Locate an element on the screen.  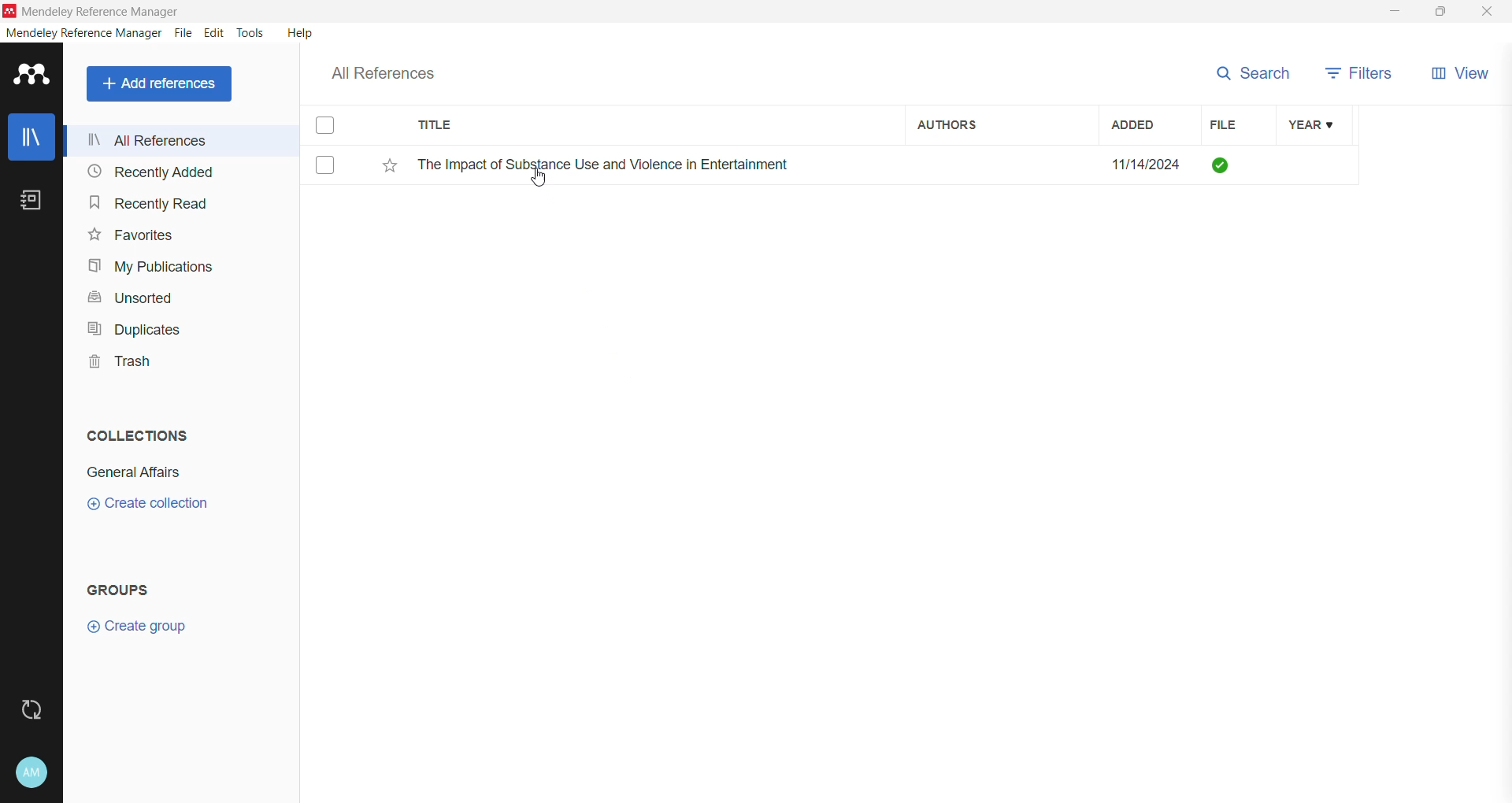
Click to Create Collection is located at coordinates (147, 506).